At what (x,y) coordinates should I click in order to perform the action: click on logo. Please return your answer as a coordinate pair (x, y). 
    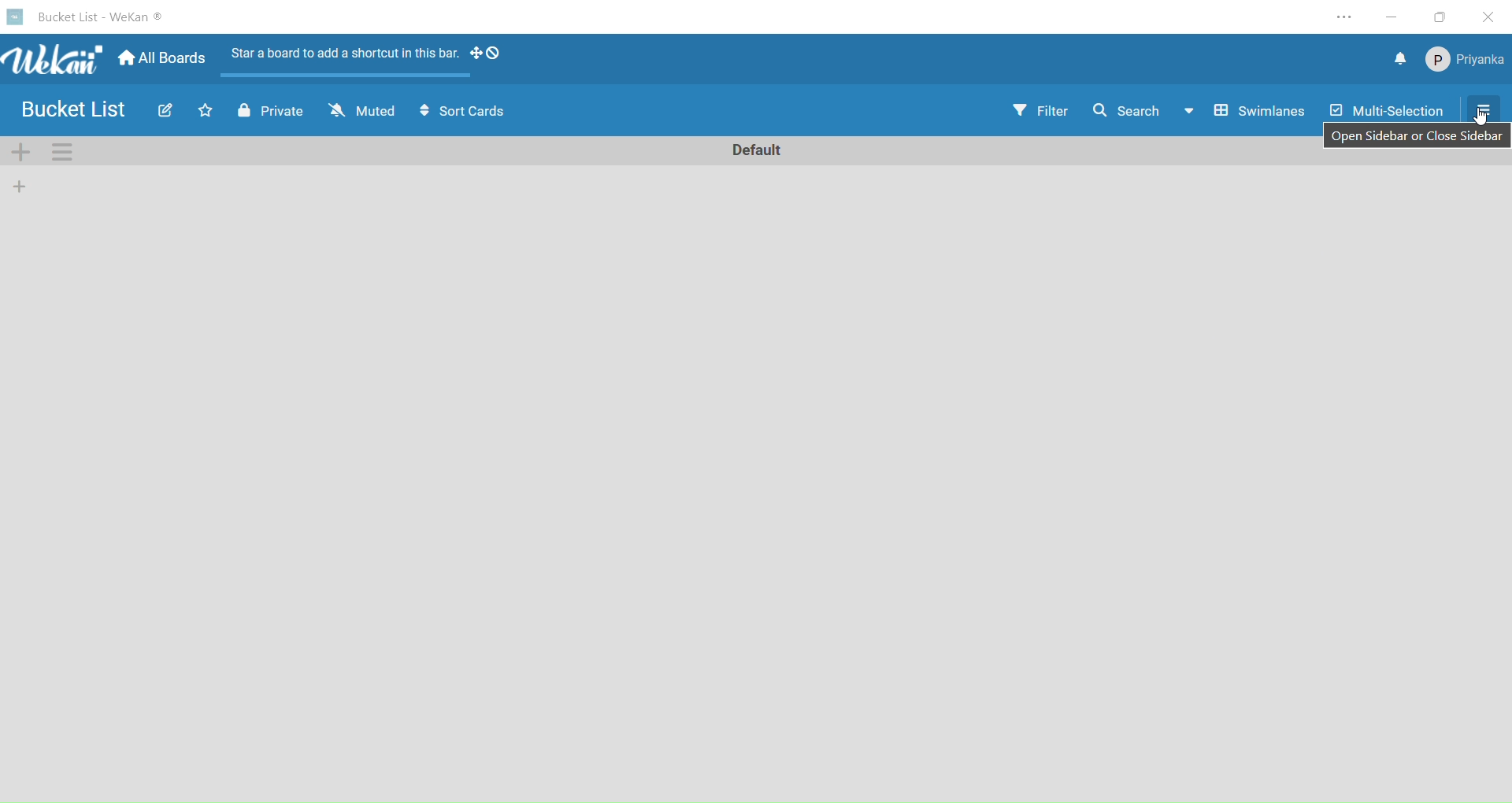
    Looking at the image, I should click on (17, 17).